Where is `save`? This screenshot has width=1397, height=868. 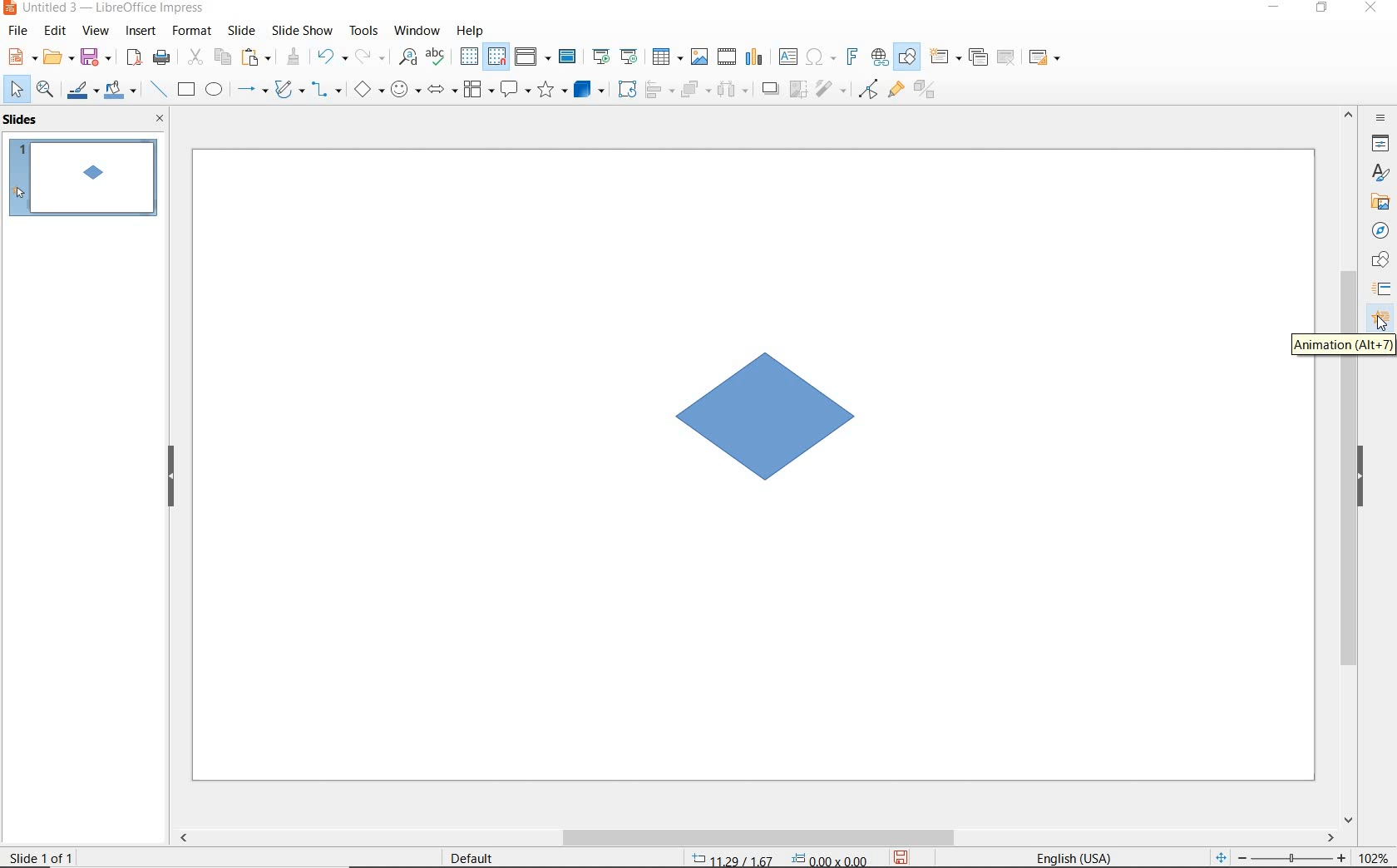
save is located at coordinates (96, 58).